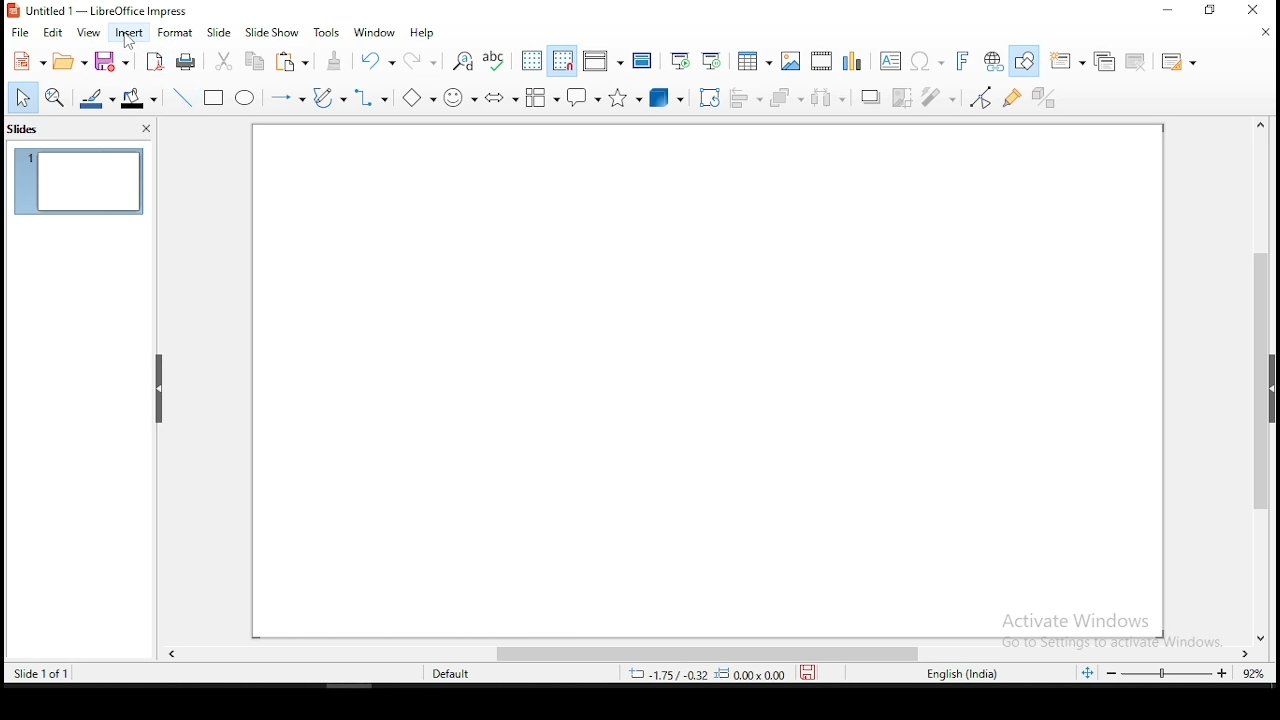  What do you see at coordinates (1246, 655) in the screenshot?
I see `scroll right` at bounding box center [1246, 655].